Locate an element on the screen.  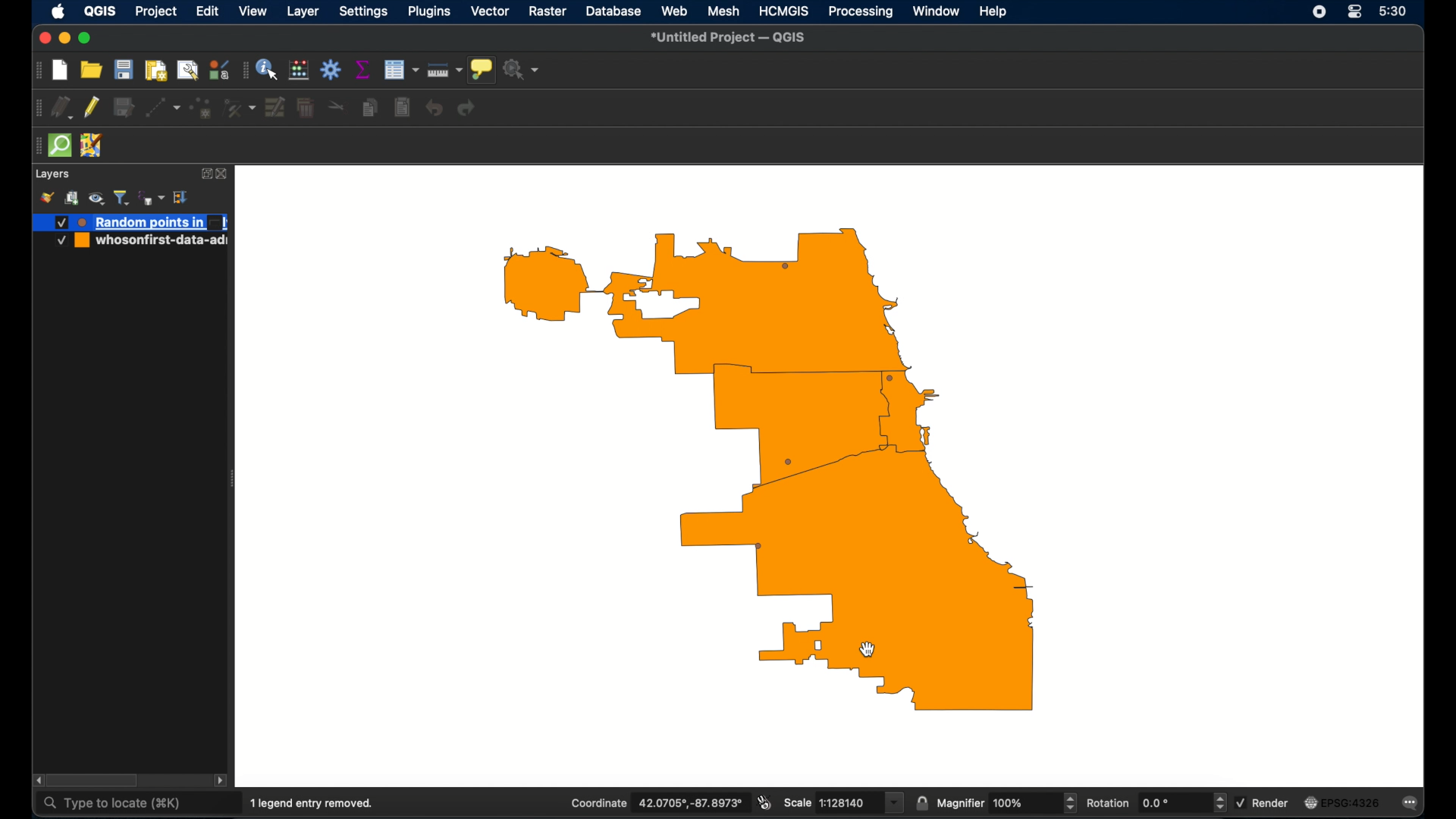
whoseonfirst-date-ad is located at coordinates (142, 245).